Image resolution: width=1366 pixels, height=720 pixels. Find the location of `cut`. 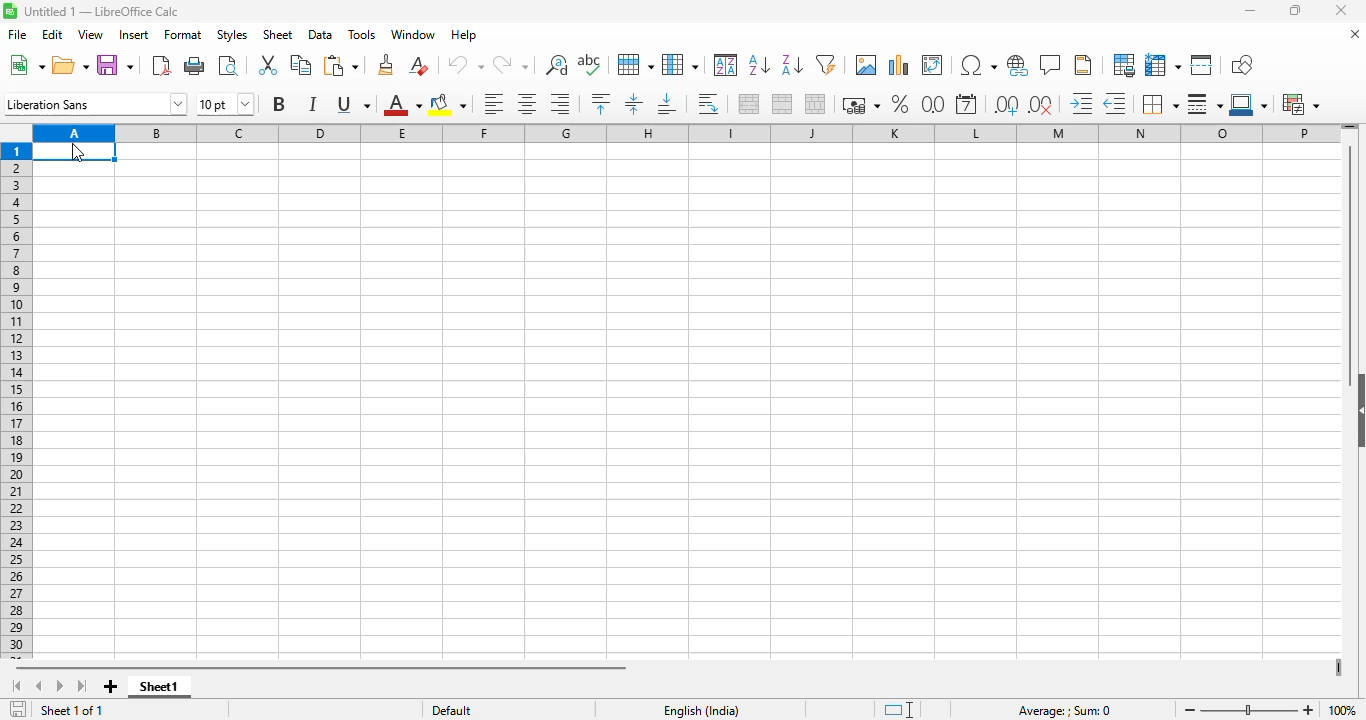

cut is located at coordinates (269, 65).